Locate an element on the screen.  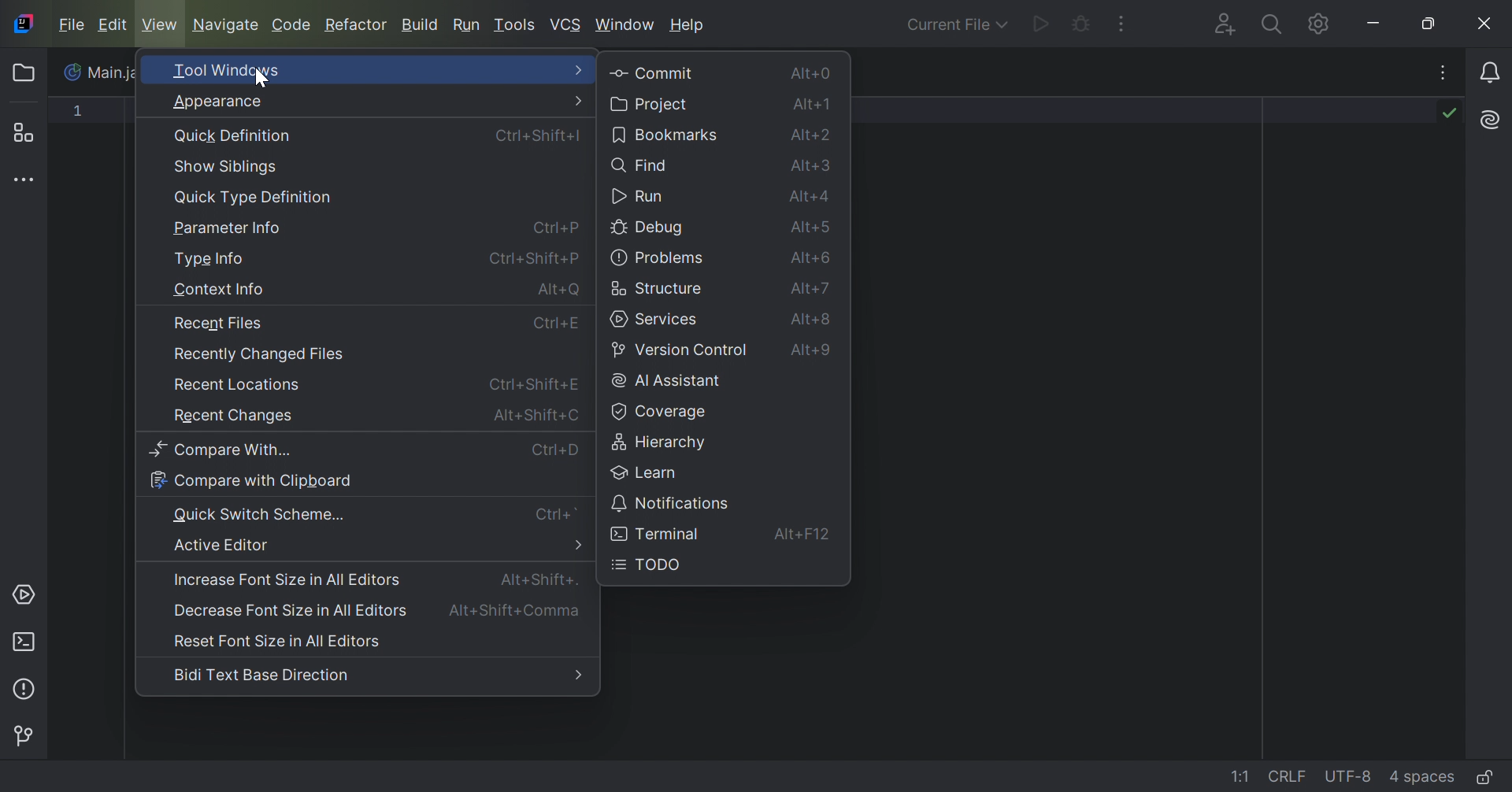
Alt+6 is located at coordinates (811, 259).